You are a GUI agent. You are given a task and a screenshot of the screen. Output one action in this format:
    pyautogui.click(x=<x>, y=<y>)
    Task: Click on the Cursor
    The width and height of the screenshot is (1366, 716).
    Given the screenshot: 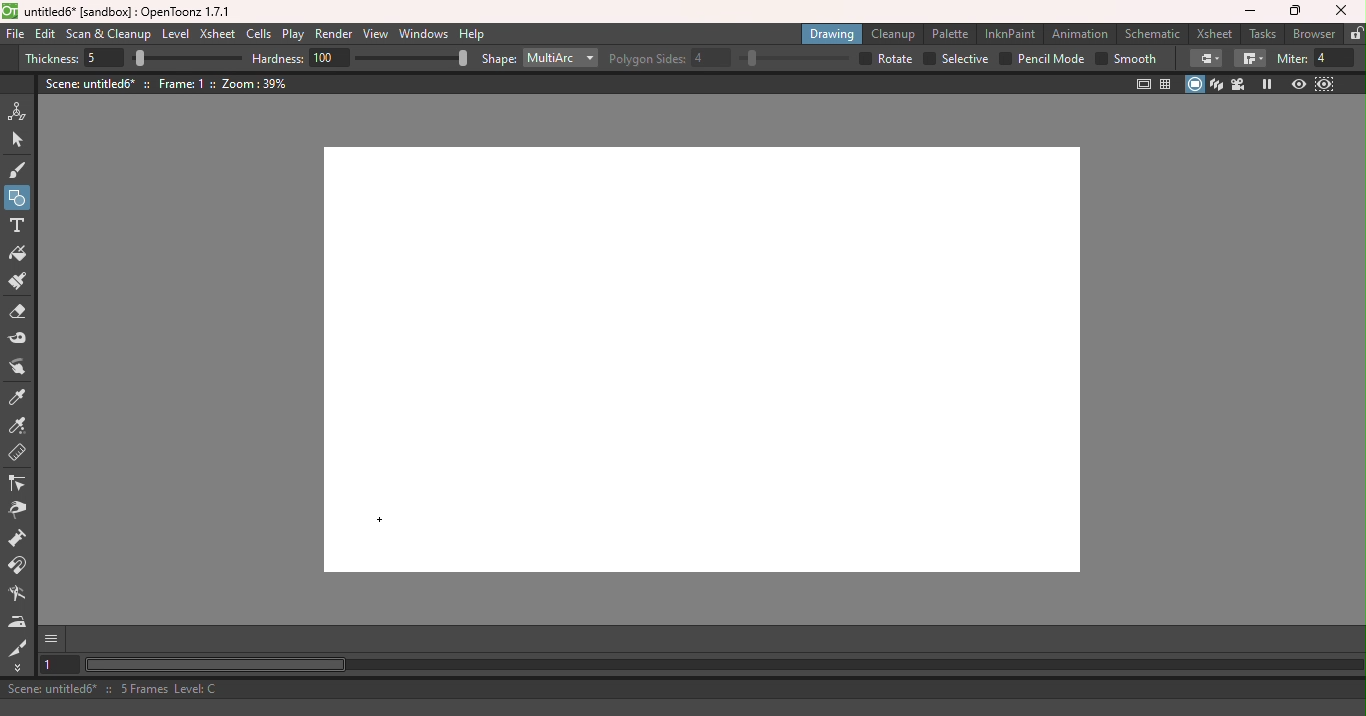 What is the action you would take?
    pyautogui.click(x=379, y=515)
    